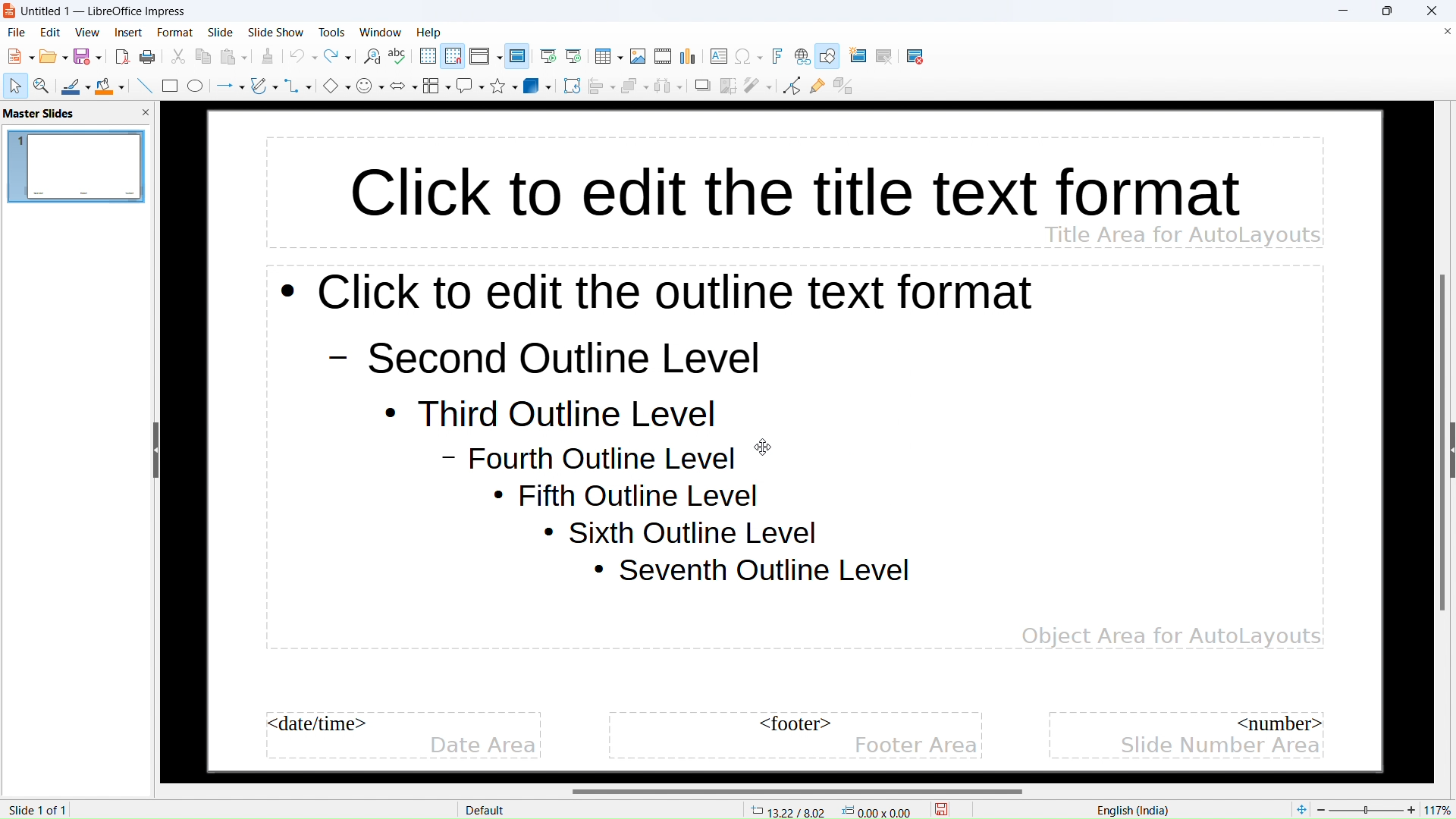 This screenshot has height=819, width=1456. Describe the element at coordinates (917, 745) in the screenshot. I see `footer area` at that location.